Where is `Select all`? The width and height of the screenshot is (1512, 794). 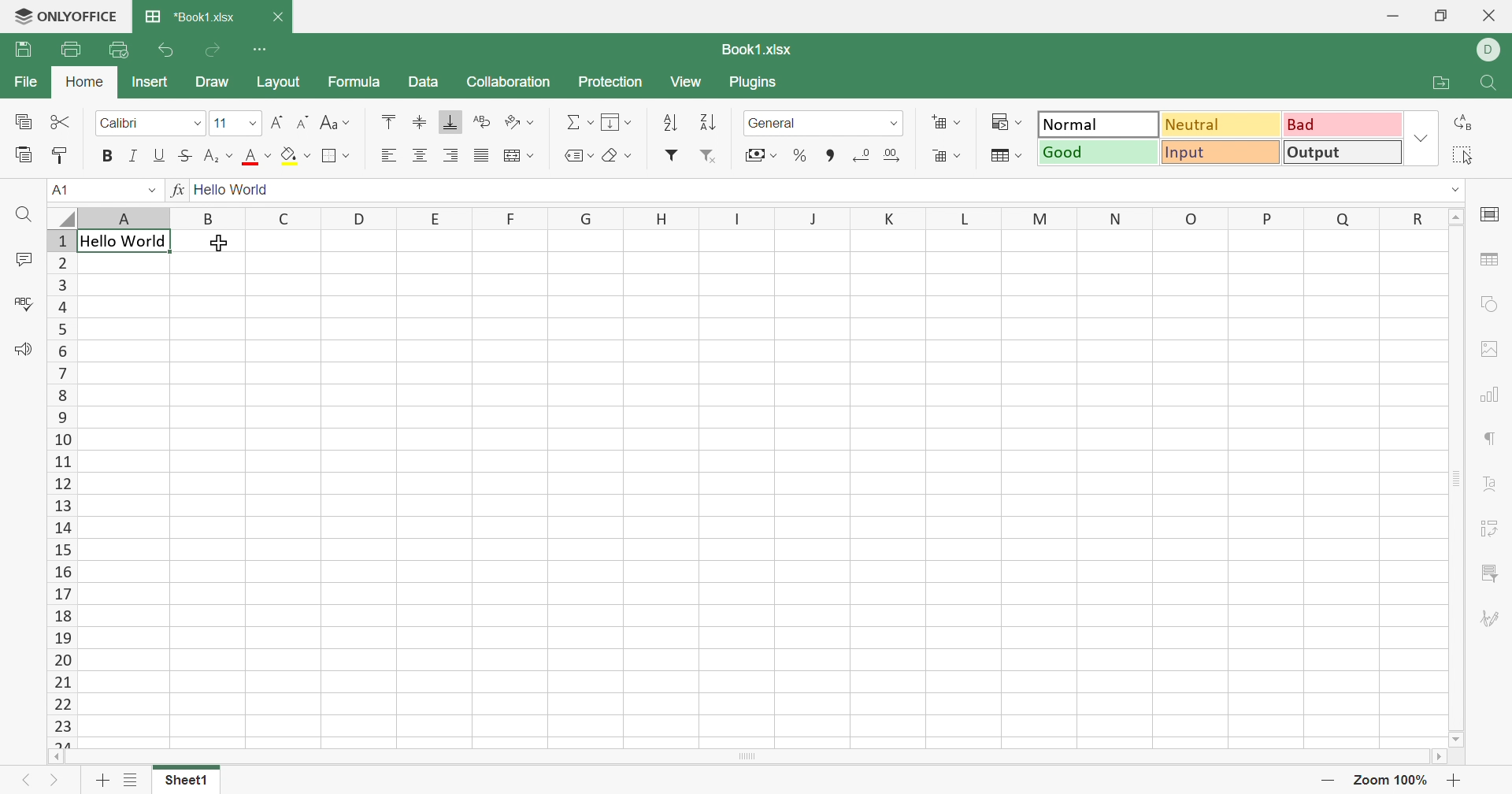 Select all is located at coordinates (1461, 154).